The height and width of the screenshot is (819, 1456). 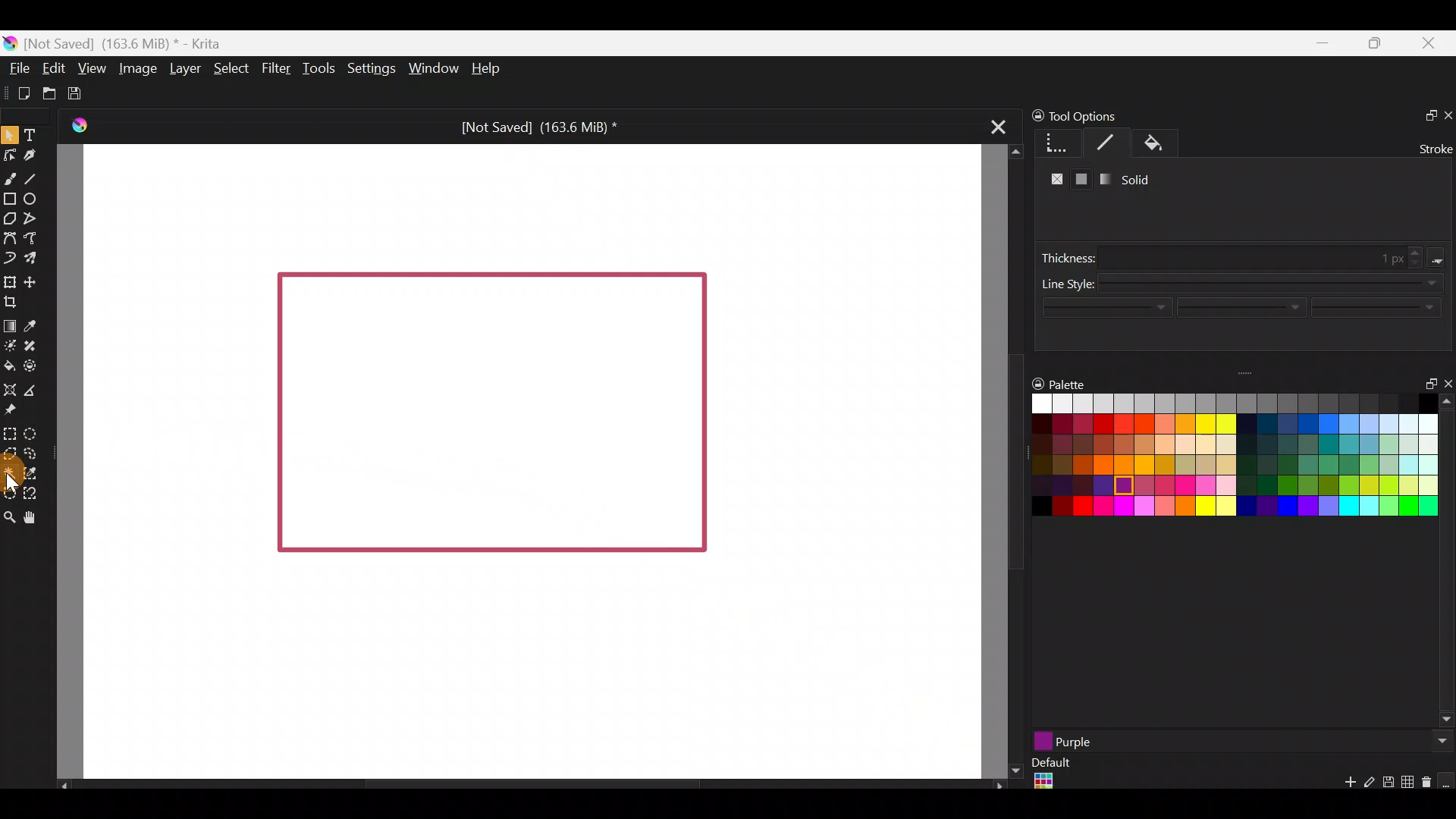 I want to click on Close docker, so click(x=1446, y=381).